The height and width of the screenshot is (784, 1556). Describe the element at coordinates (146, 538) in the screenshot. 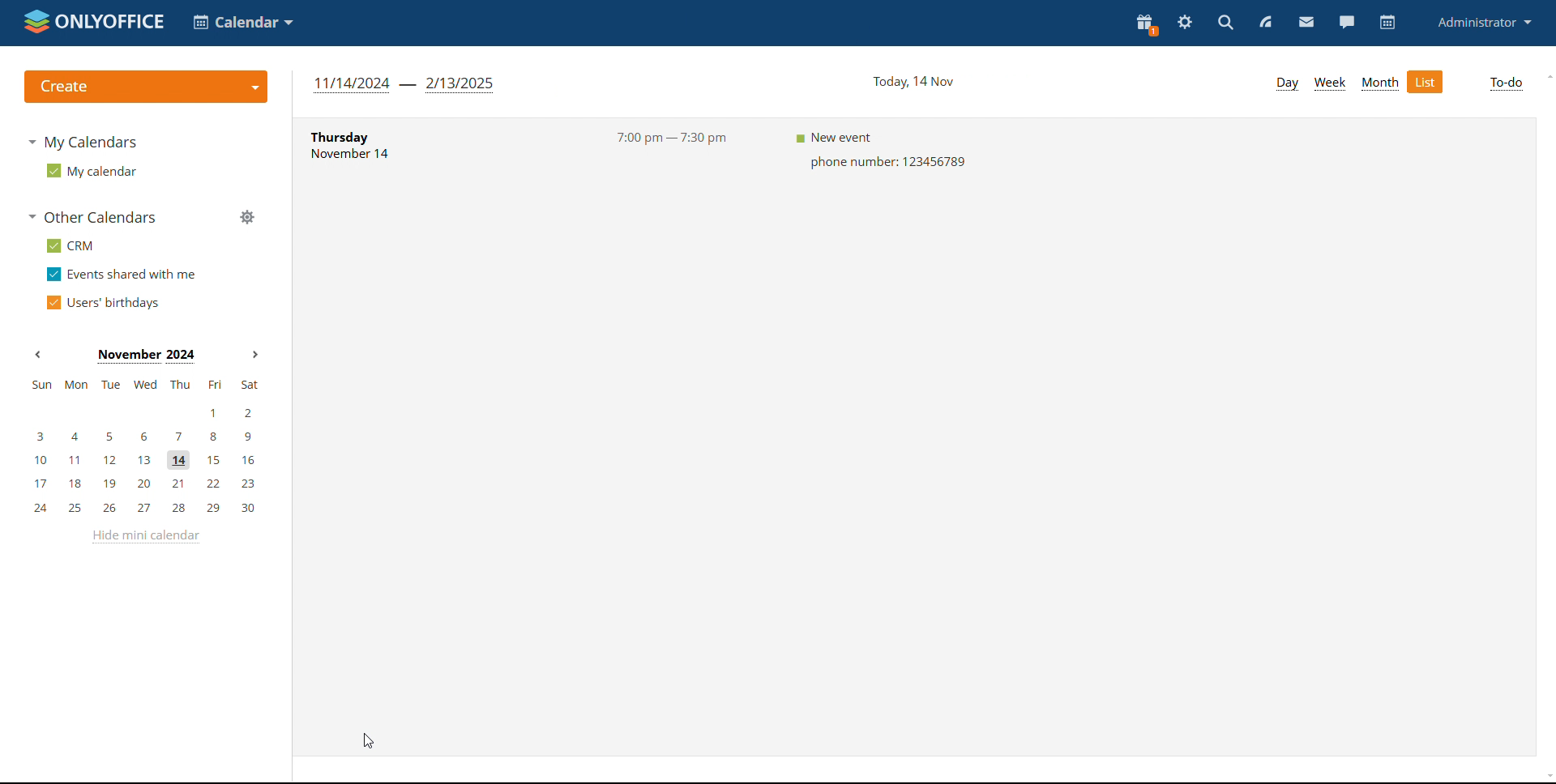

I see `hide mini calendar` at that location.